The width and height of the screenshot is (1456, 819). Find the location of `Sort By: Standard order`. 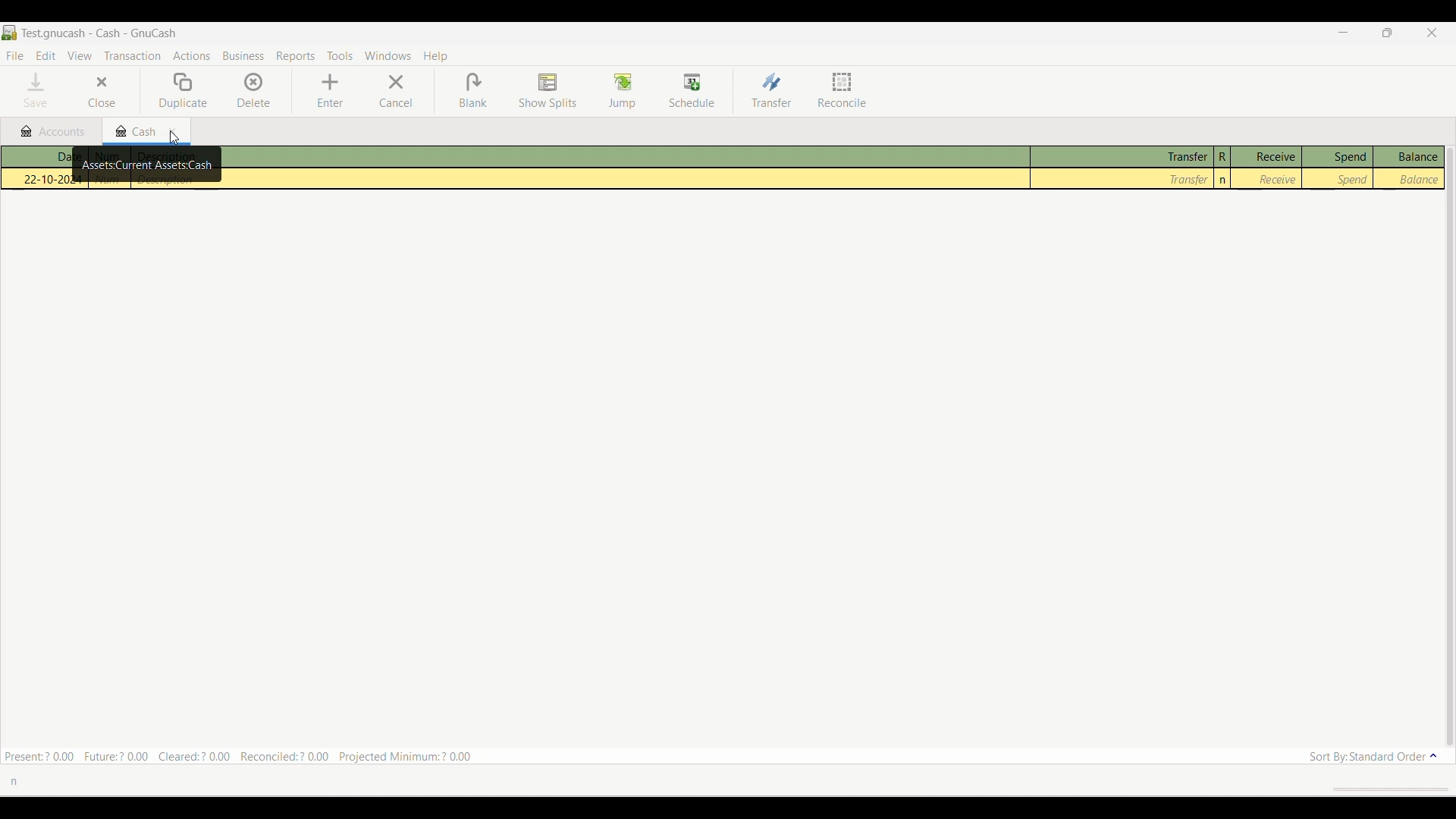

Sort By: Standard order is located at coordinates (1370, 755).